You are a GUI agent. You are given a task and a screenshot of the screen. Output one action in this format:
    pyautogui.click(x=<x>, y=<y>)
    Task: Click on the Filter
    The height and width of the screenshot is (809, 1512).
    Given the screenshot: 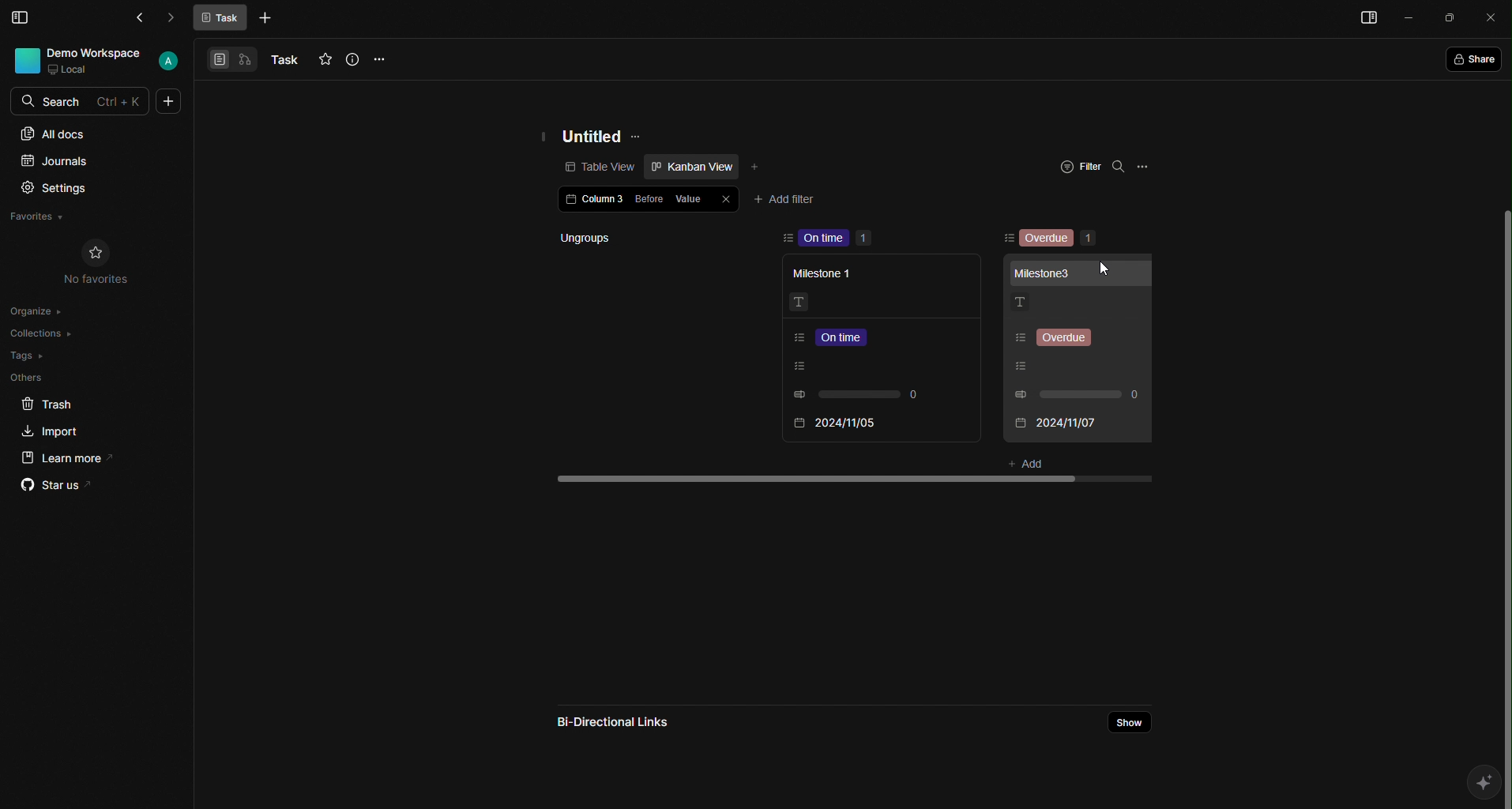 What is the action you would take?
    pyautogui.click(x=1079, y=164)
    